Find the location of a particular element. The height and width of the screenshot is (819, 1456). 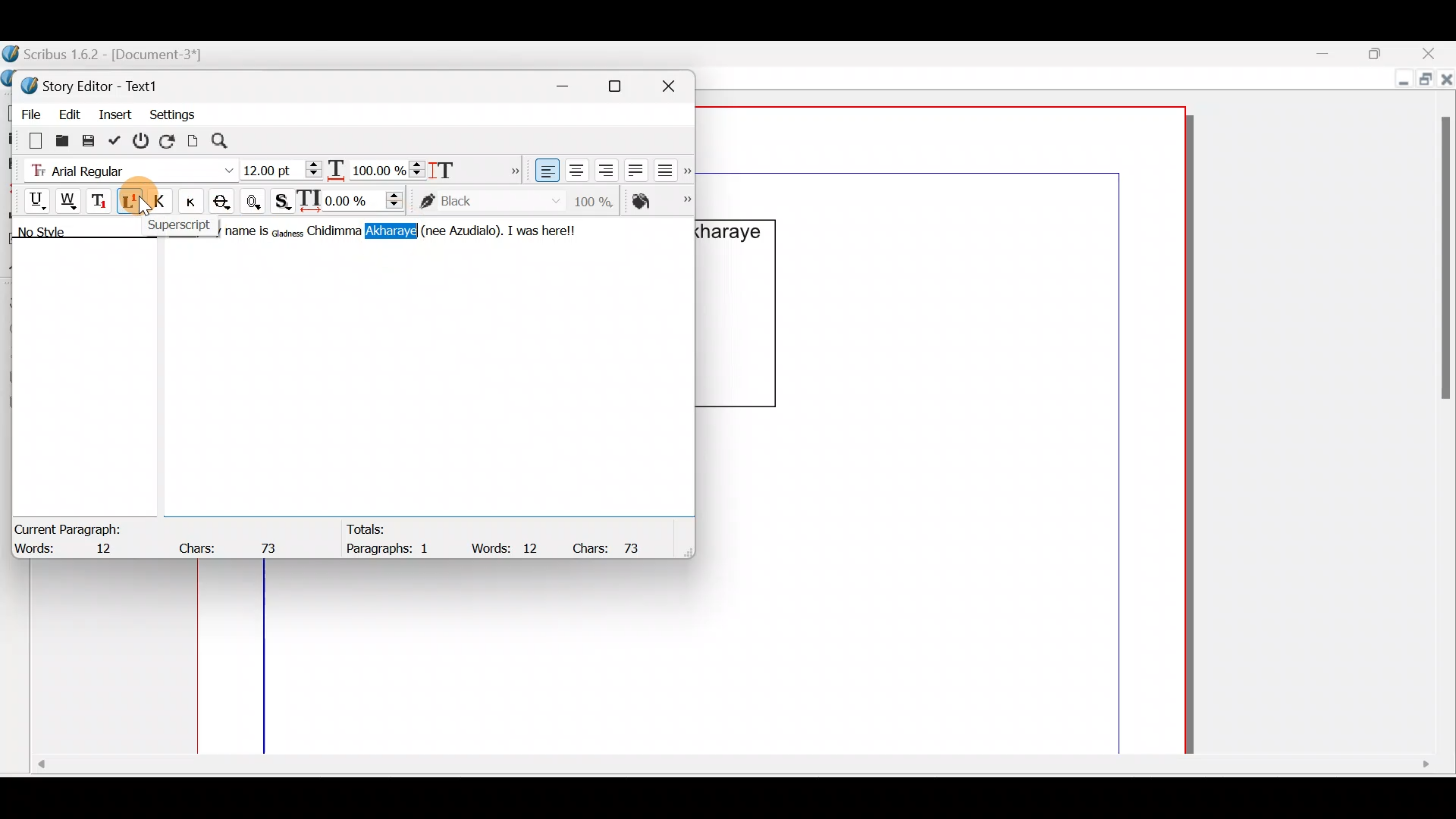

Subscript is located at coordinates (101, 199).